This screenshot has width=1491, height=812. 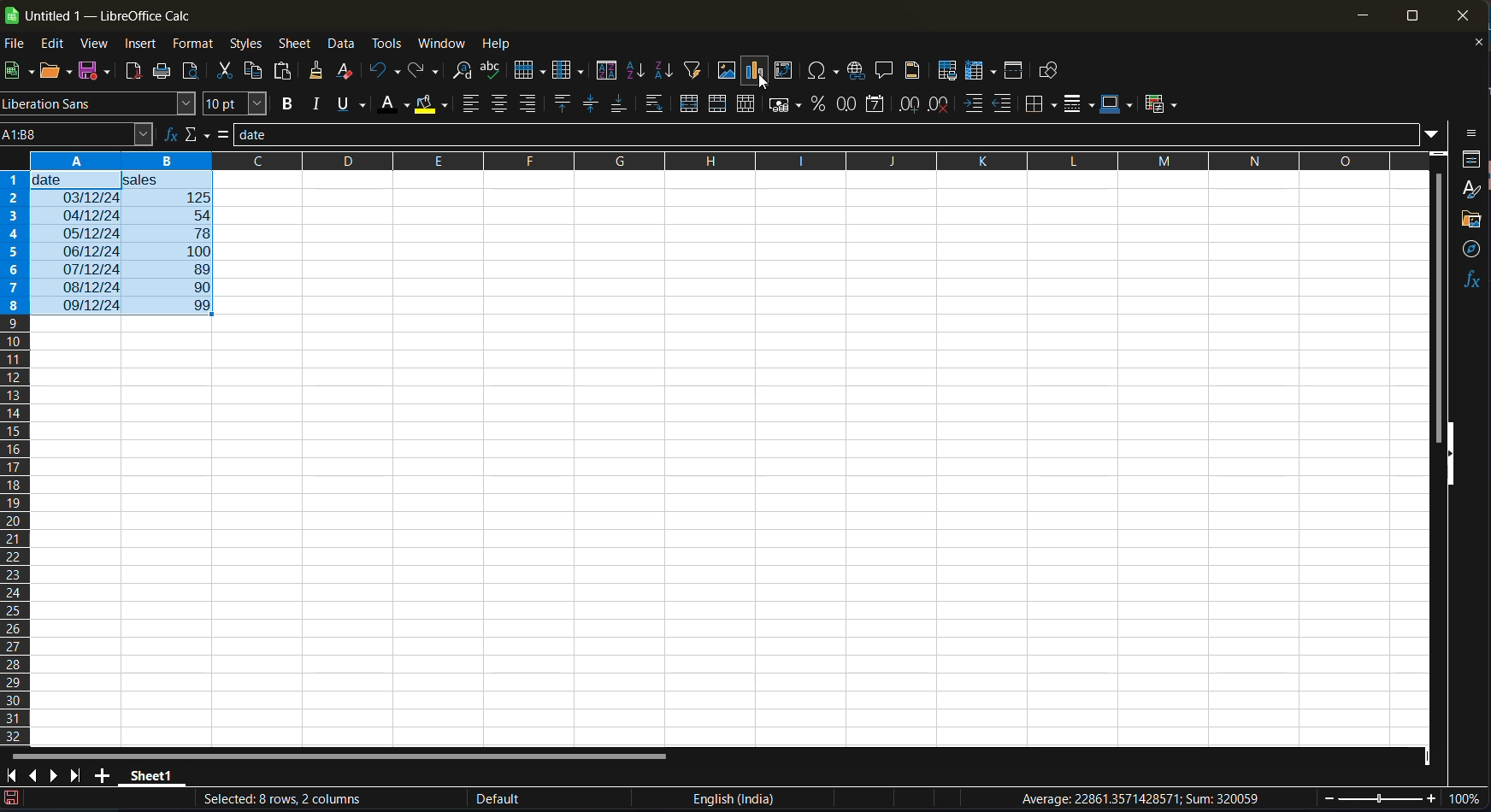 I want to click on tools, so click(x=390, y=45).